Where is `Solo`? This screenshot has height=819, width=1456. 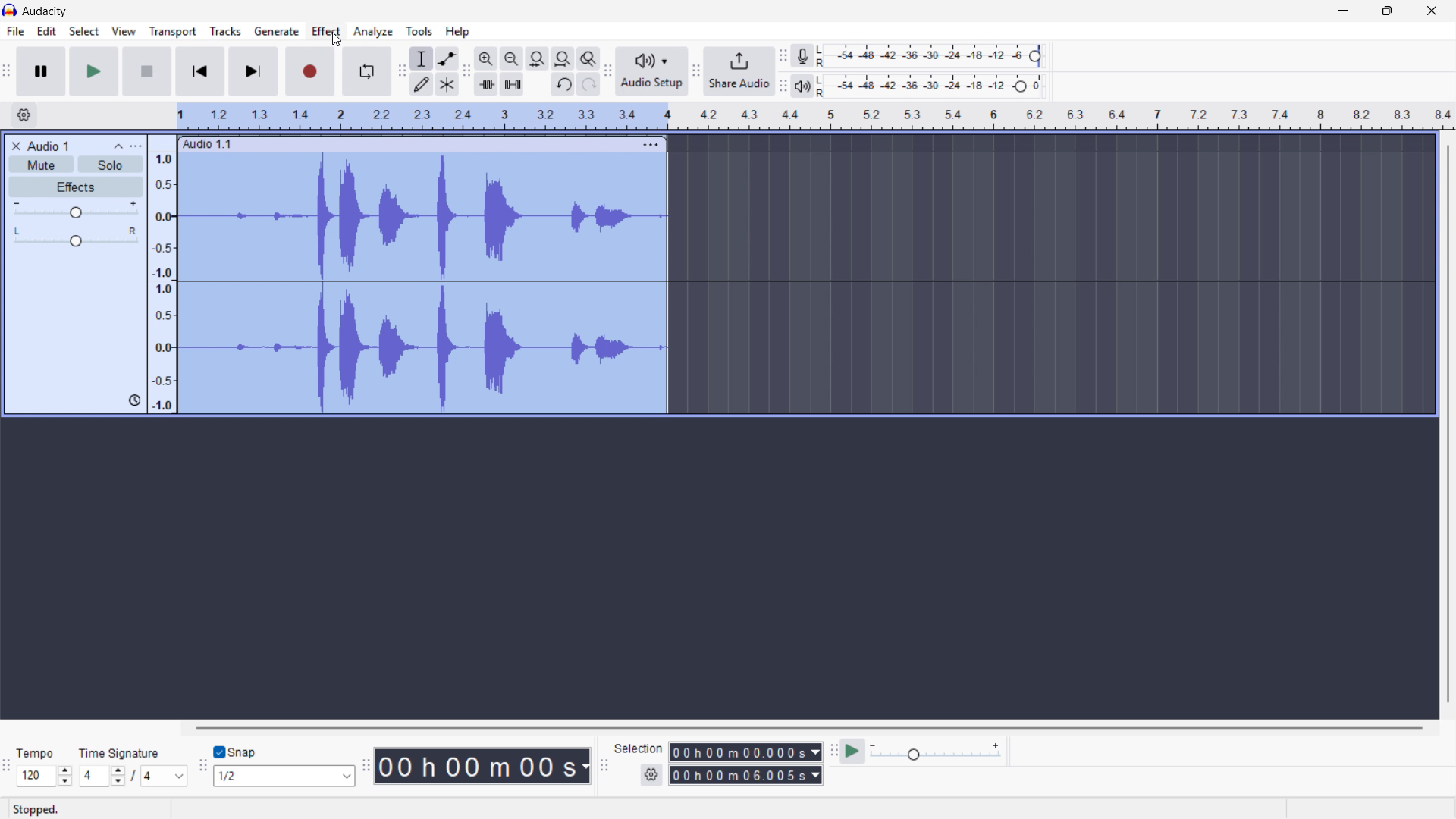
Solo is located at coordinates (111, 164).